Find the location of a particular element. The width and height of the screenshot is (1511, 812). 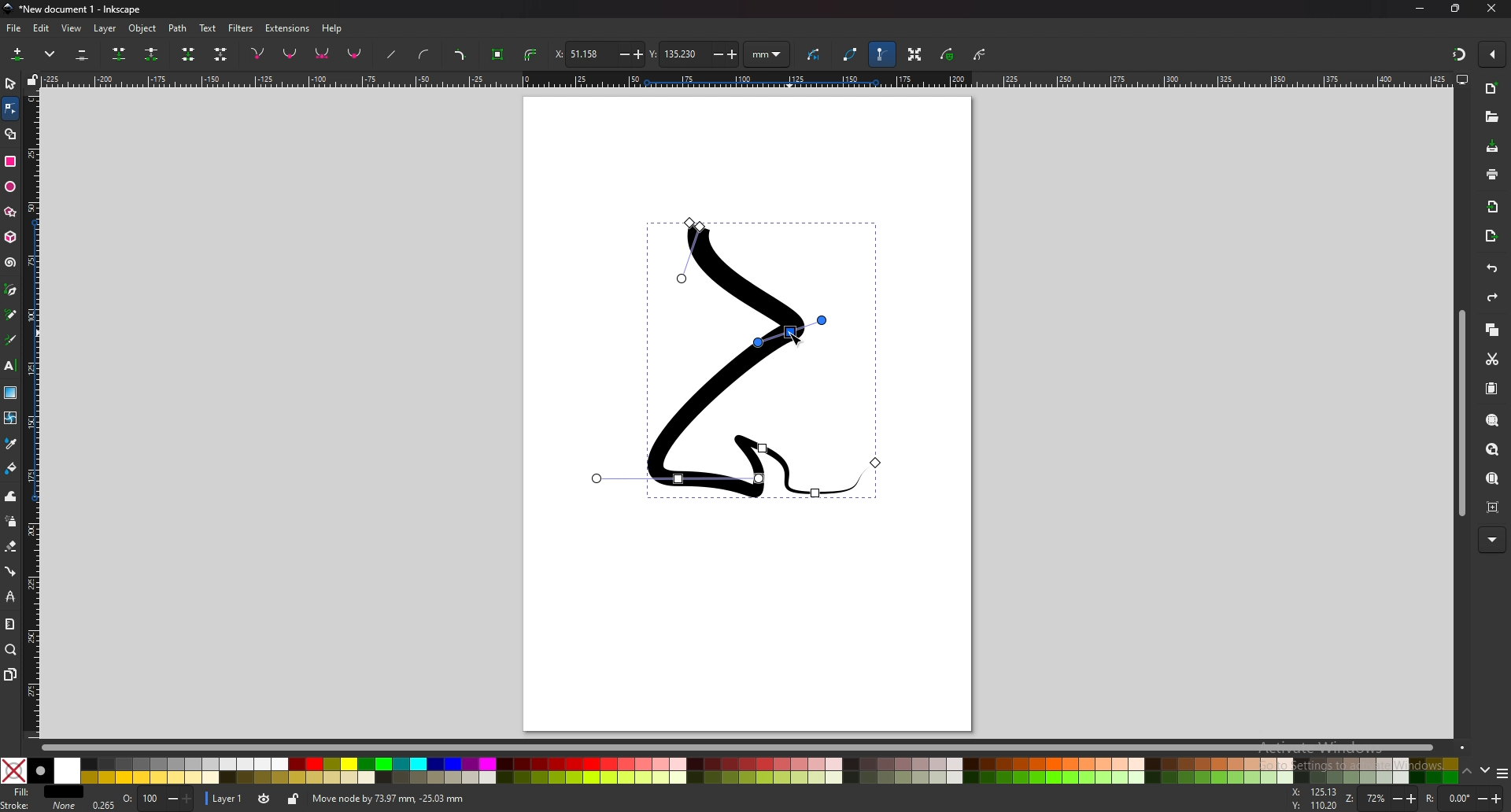

text is located at coordinates (11, 366).